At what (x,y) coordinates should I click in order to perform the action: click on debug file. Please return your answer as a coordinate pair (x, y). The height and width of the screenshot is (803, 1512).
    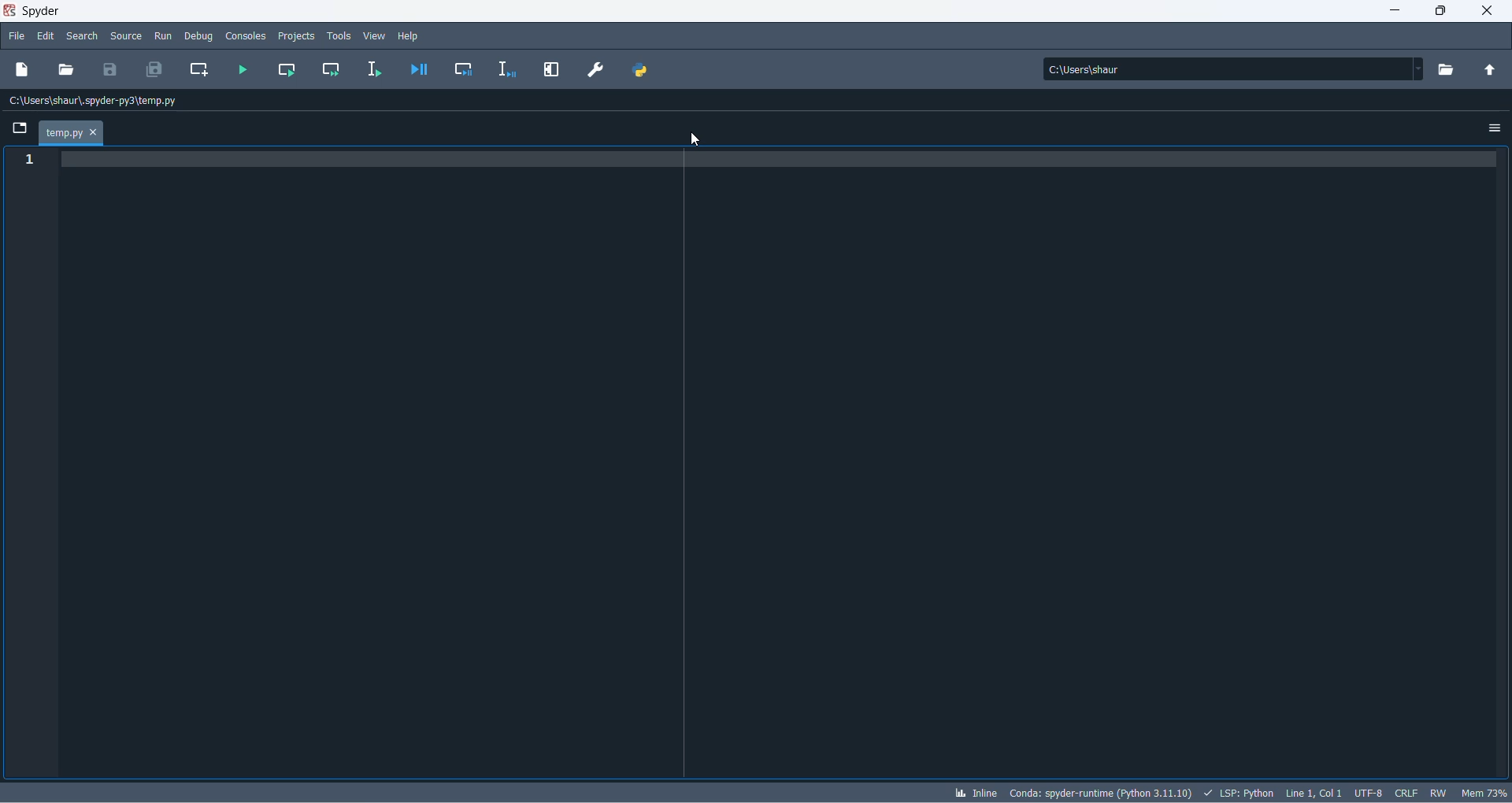
    Looking at the image, I should click on (420, 71).